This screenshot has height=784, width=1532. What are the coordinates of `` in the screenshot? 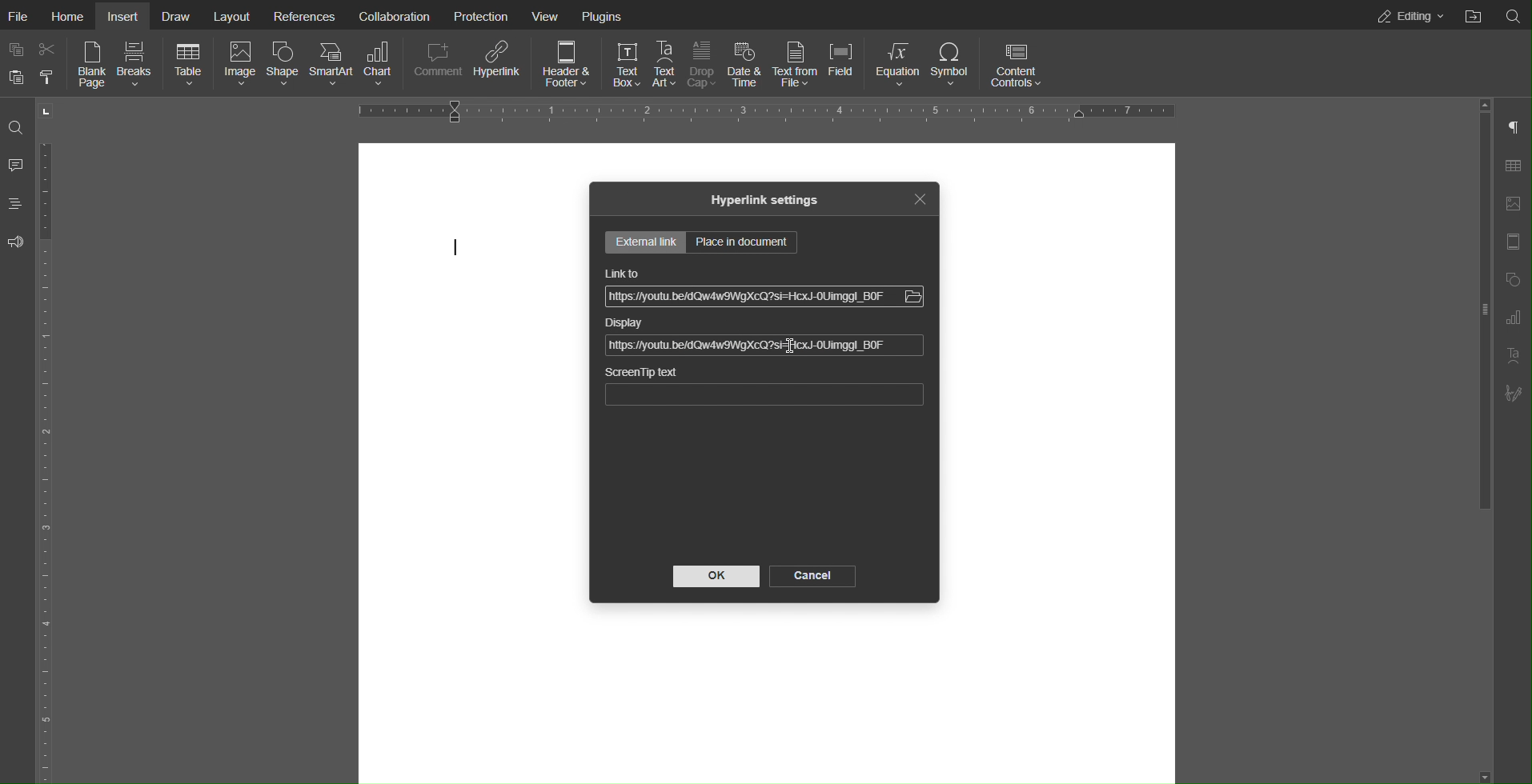 It's located at (916, 296).